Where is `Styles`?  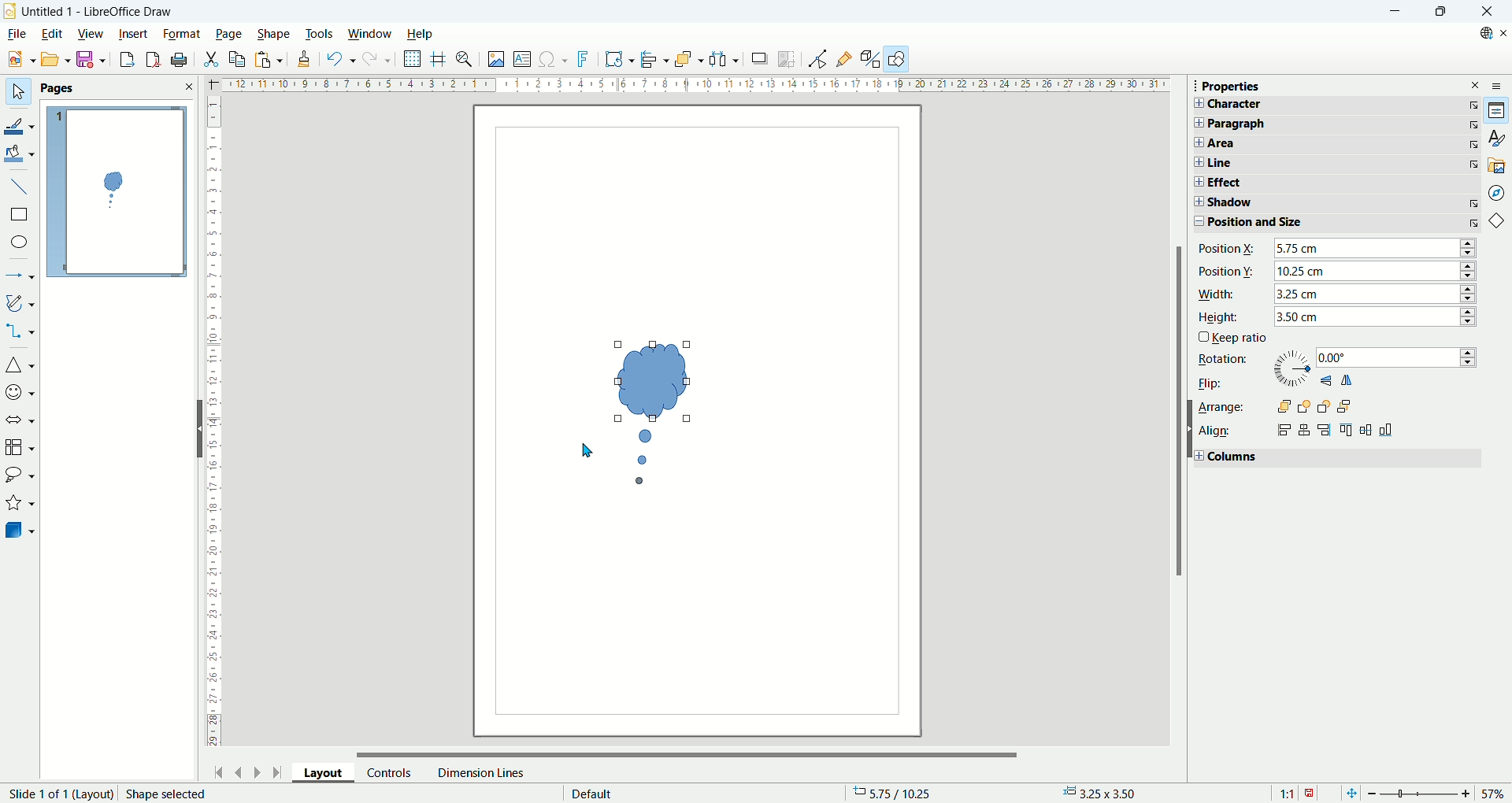
Styles is located at coordinates (1496, 138).